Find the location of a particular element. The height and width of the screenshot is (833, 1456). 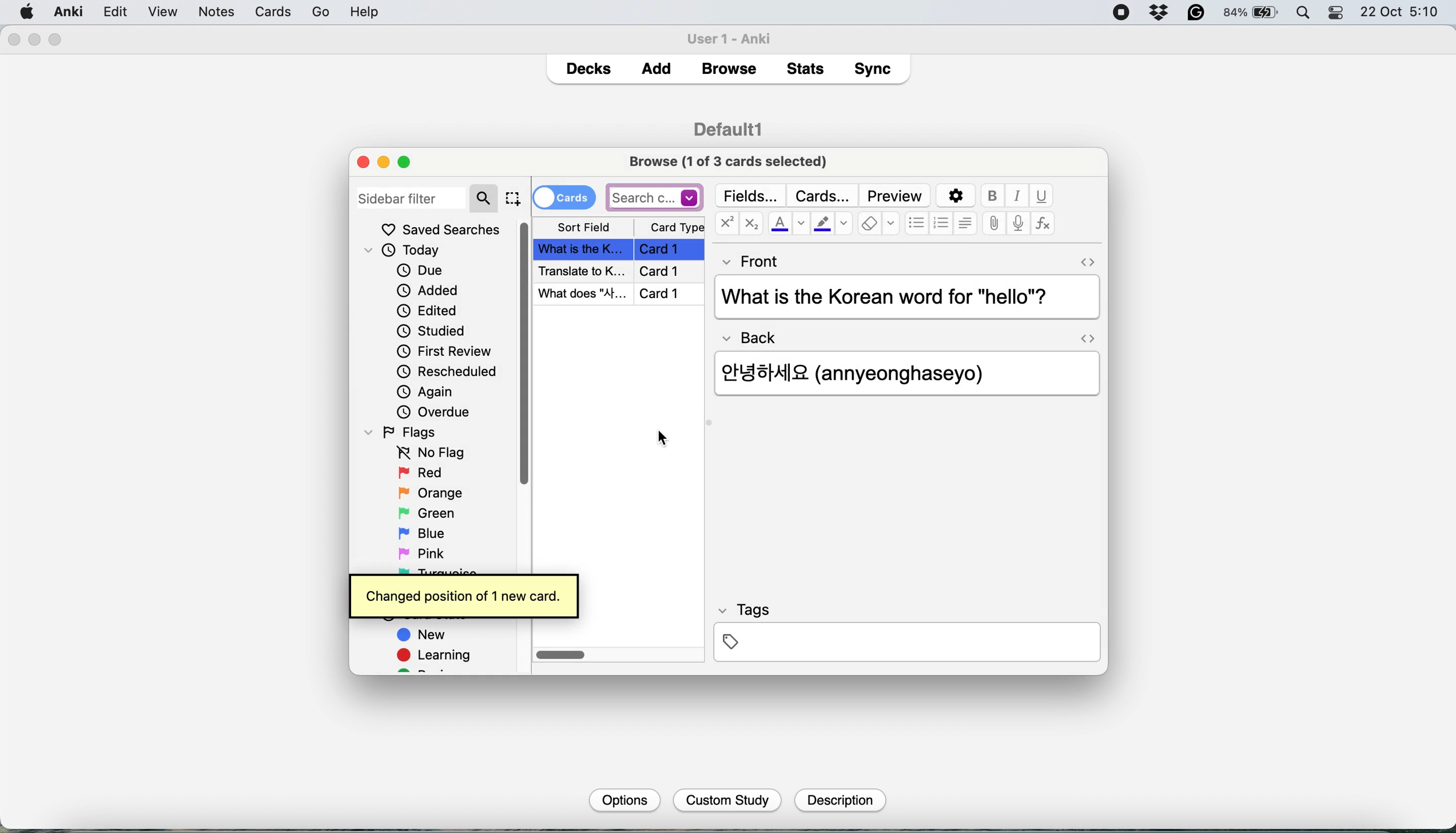

user 1 - Anki is located at coordinates (735, 37).